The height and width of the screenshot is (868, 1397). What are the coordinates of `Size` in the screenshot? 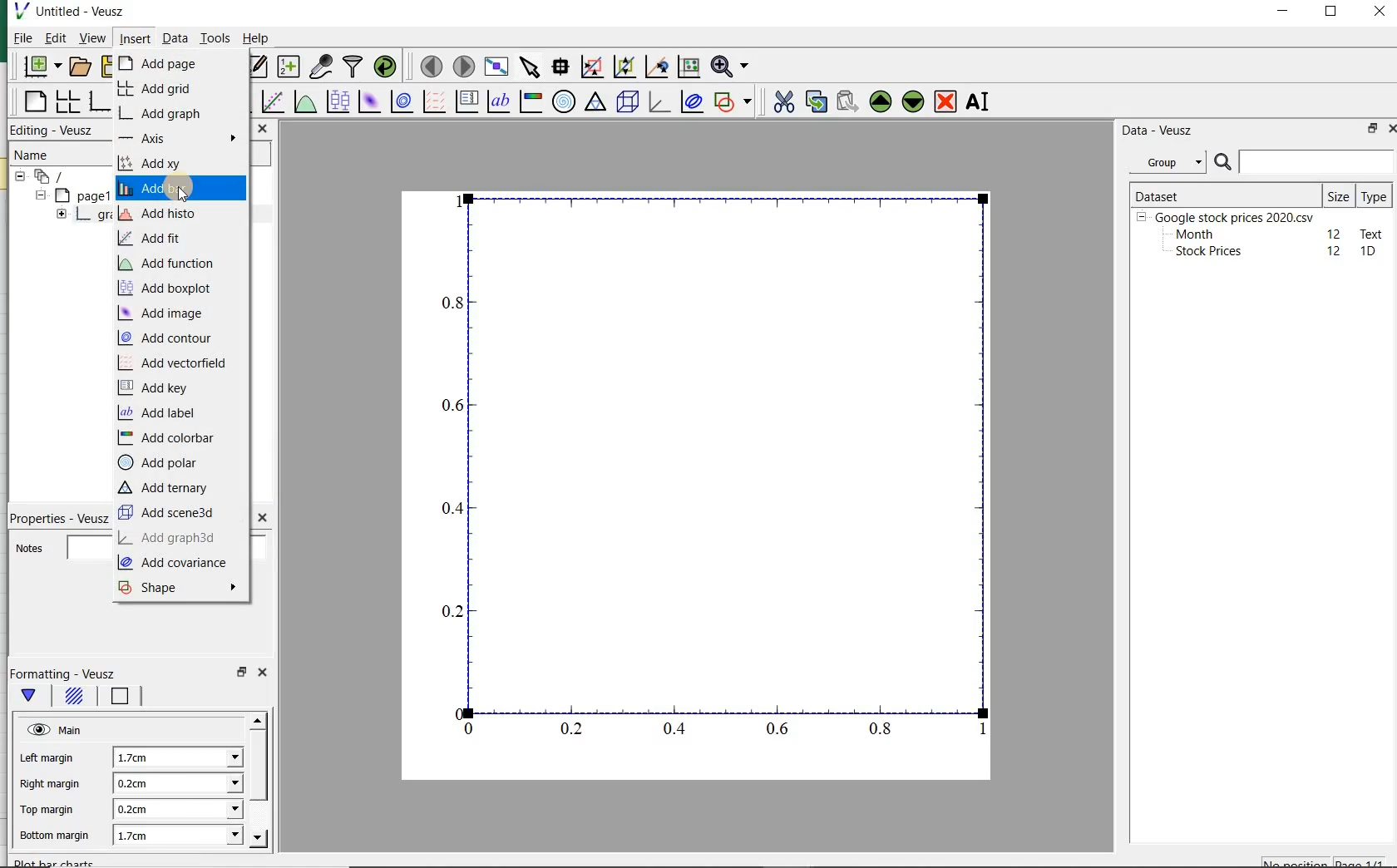 It's located at (1339, 195).